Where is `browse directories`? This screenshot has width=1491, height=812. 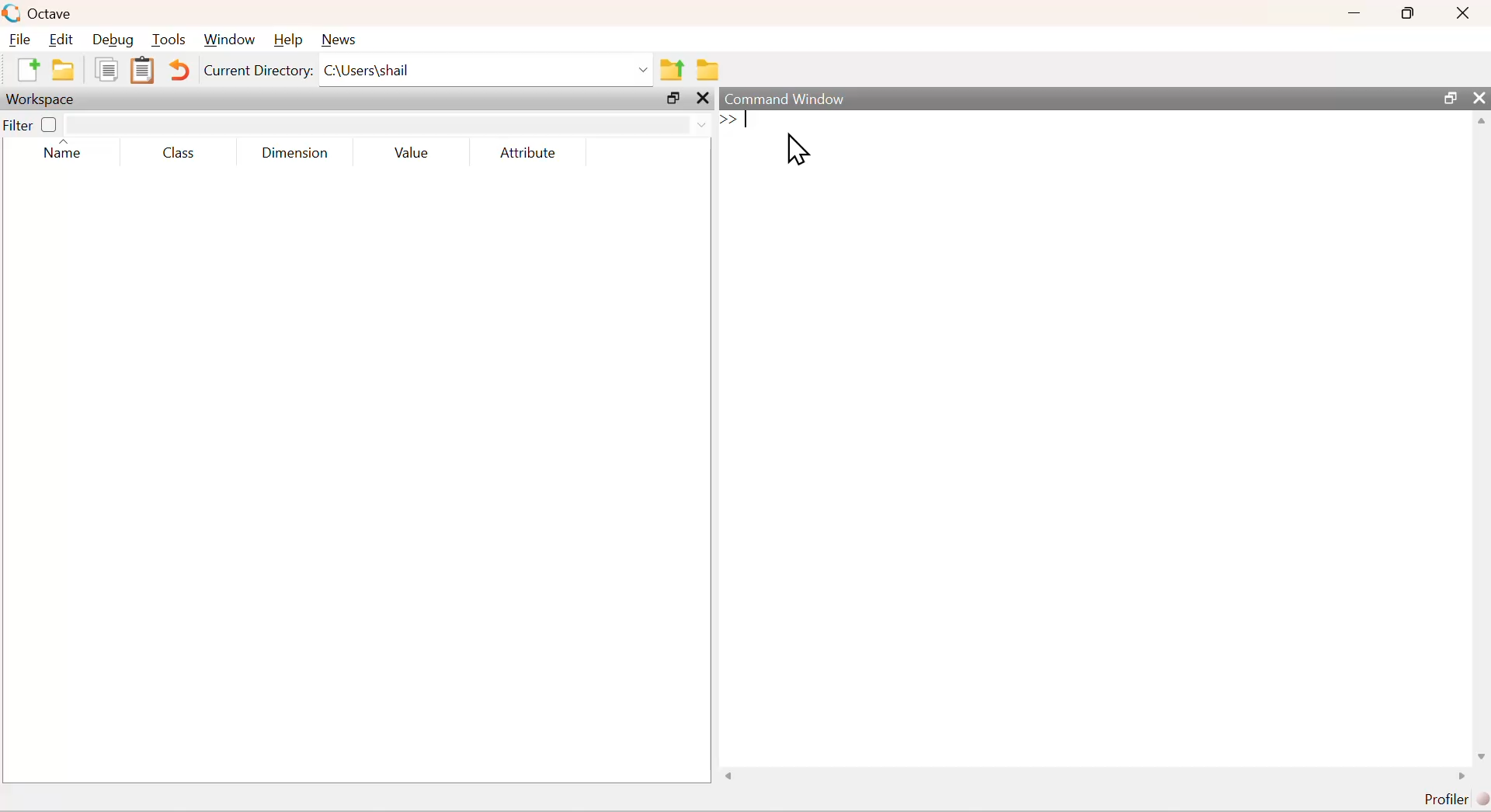
browse directories is located at coordinates (705, 70).